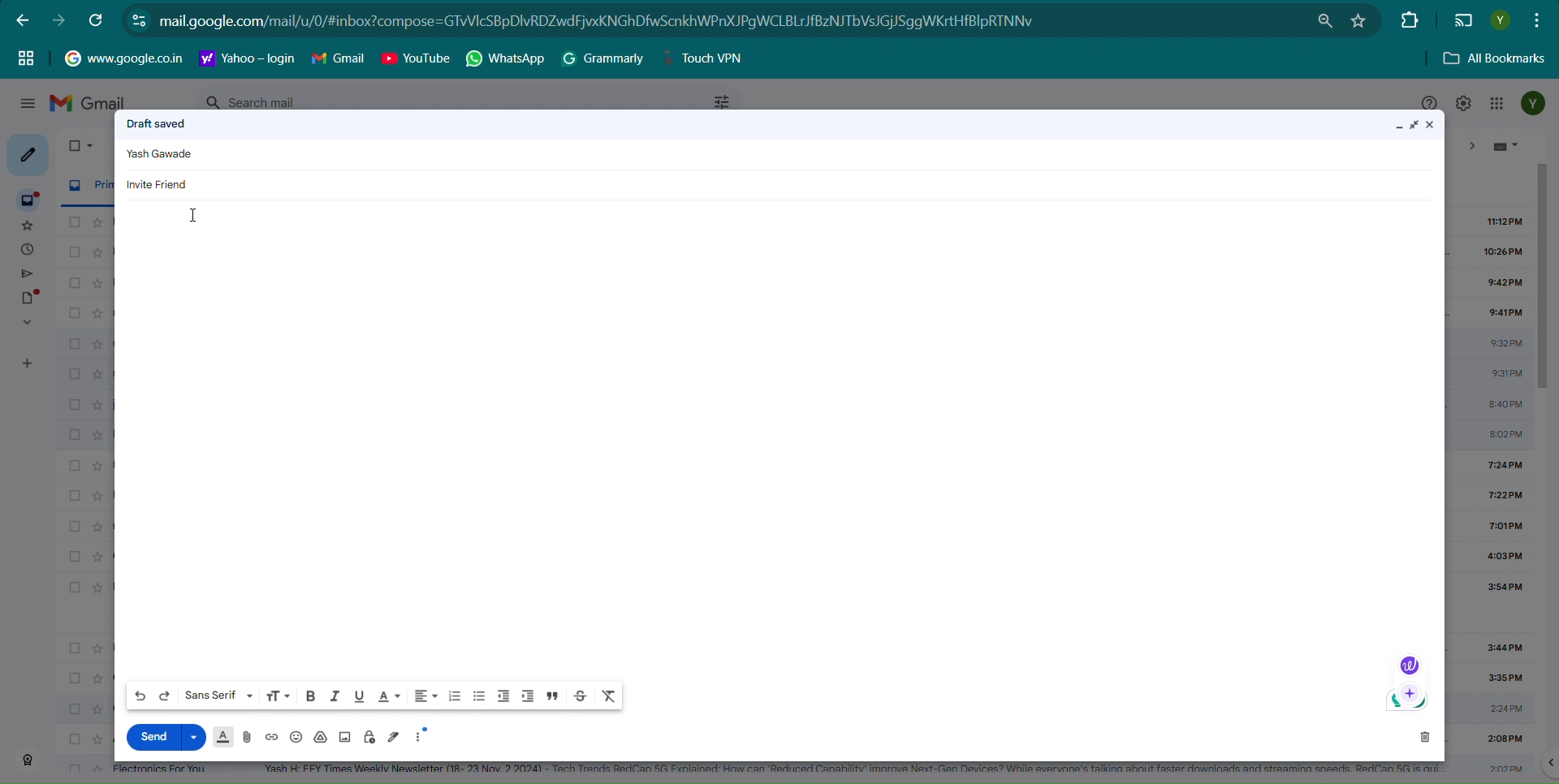 This screenshot has width=1559, height=784. I want to click on Tag group, so click(26, 57).